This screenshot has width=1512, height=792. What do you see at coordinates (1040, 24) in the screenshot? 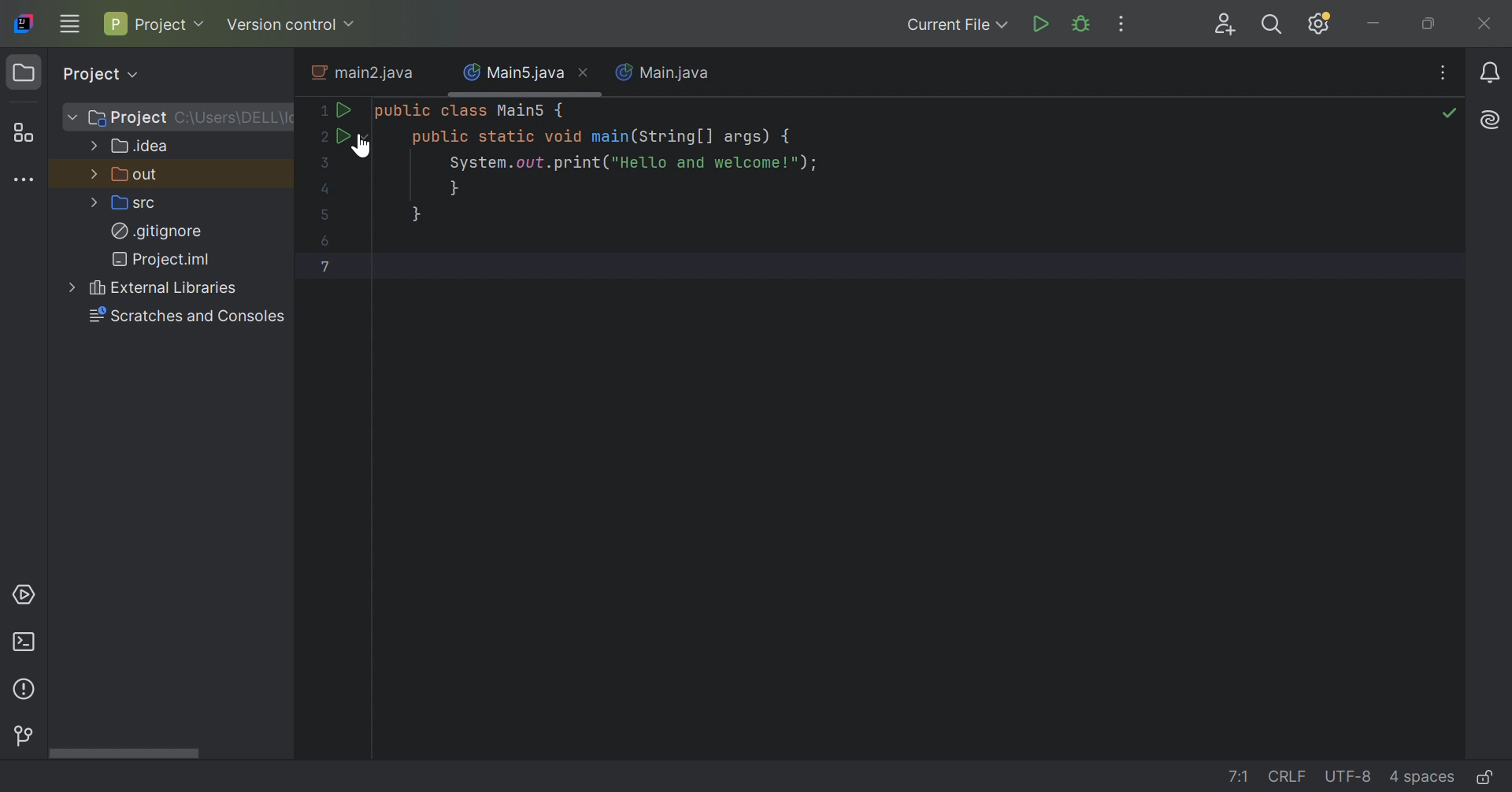
I see `Run` at bounding box center [1040, 24].